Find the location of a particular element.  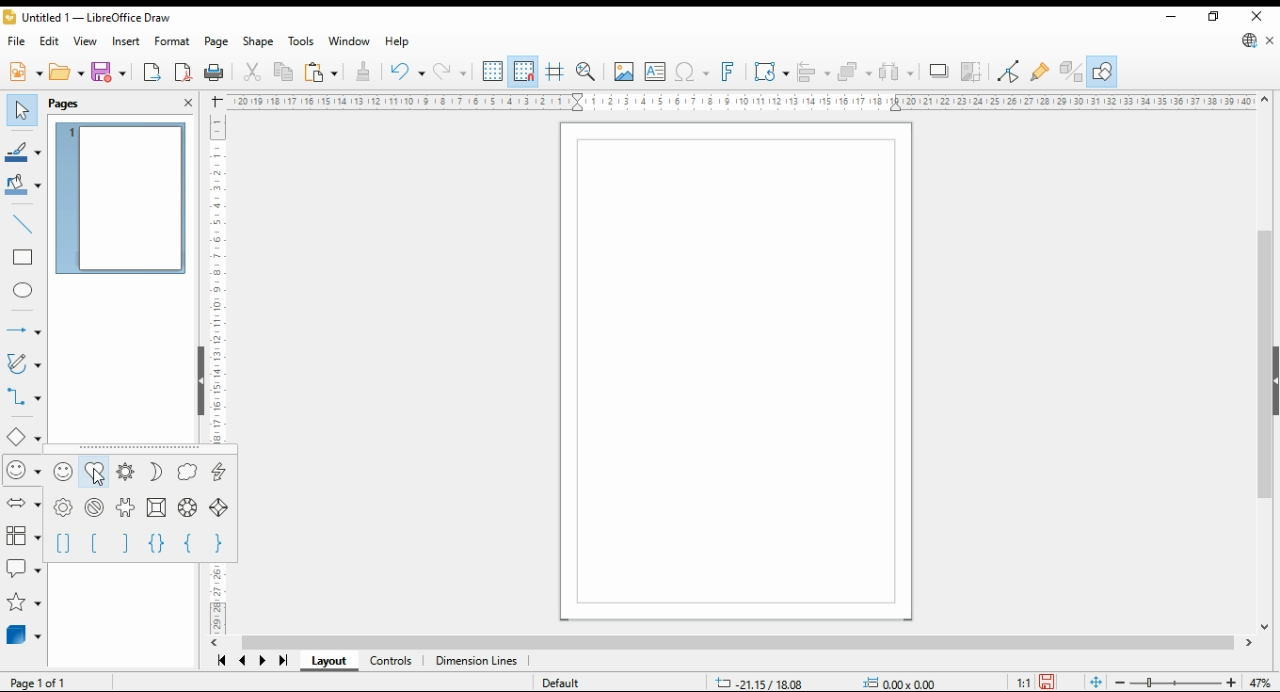

stars and banners is located at coordinates (23, 603).